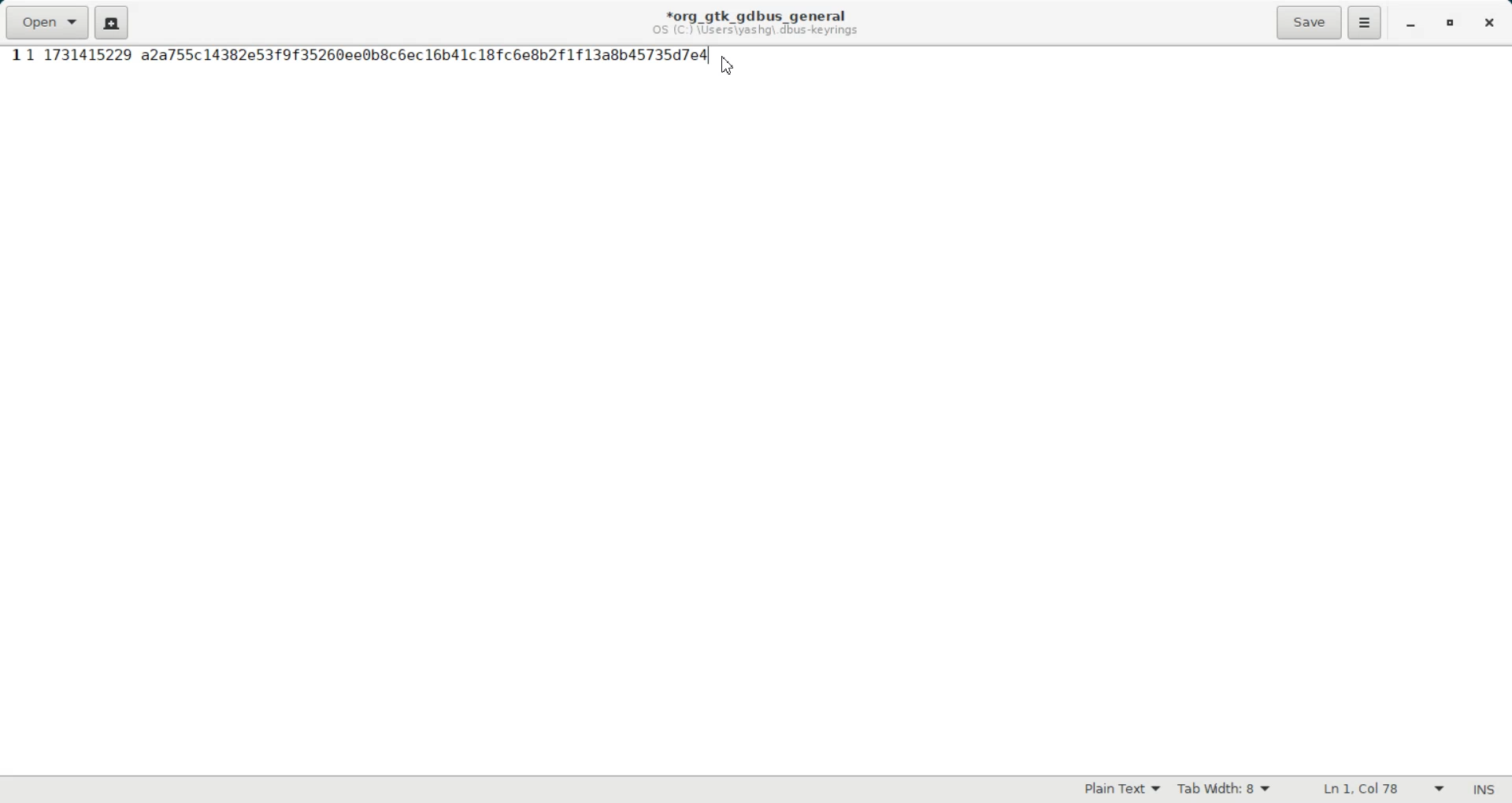  I want to click on Maximize, so click(1452, 24).